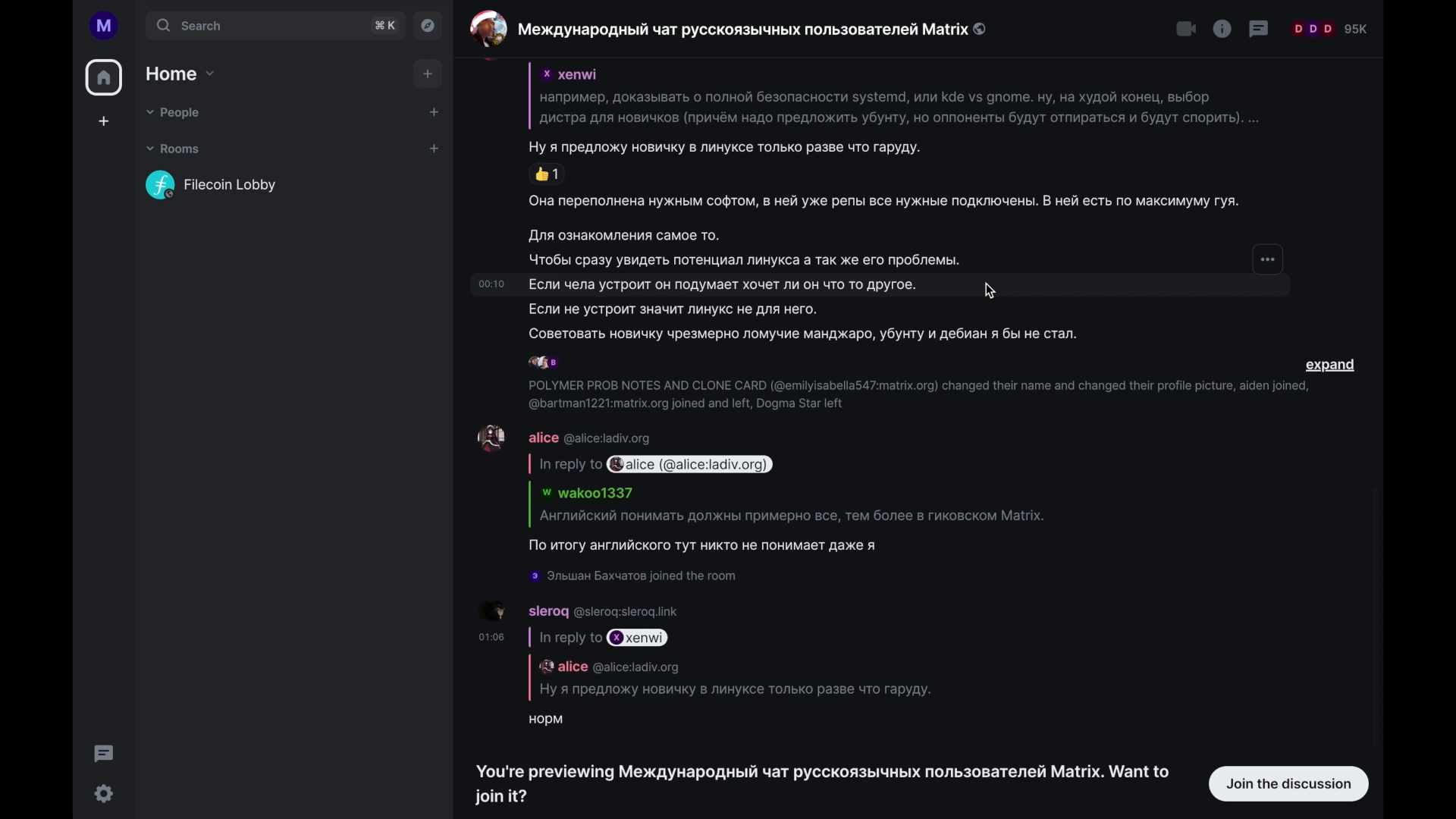 The width and height of the screenshot is (1456, 819). Describe the element at coordinates (105, 793) in the screenshot. I see `settings` at that location.